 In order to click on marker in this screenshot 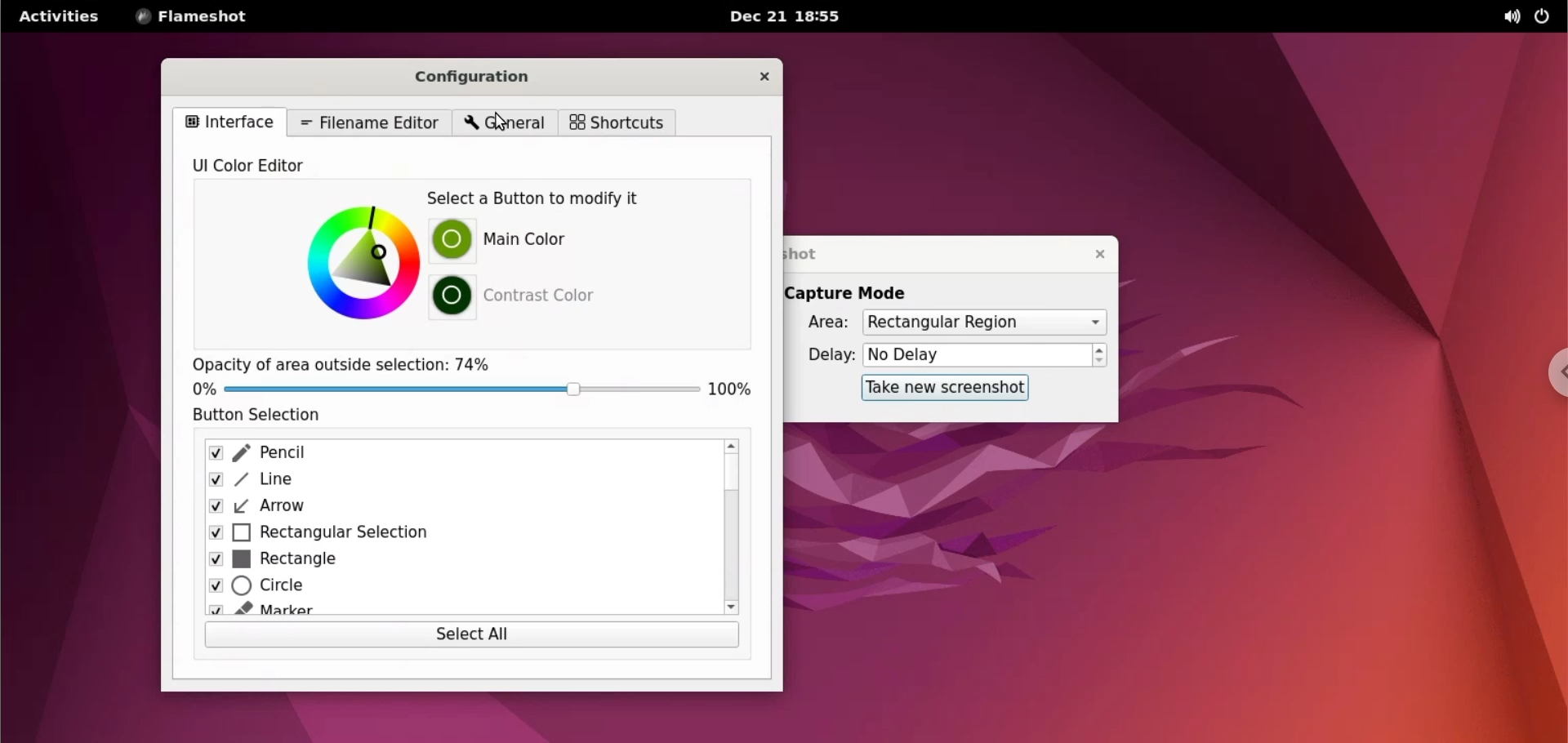, I will do `click(447, 612)`.